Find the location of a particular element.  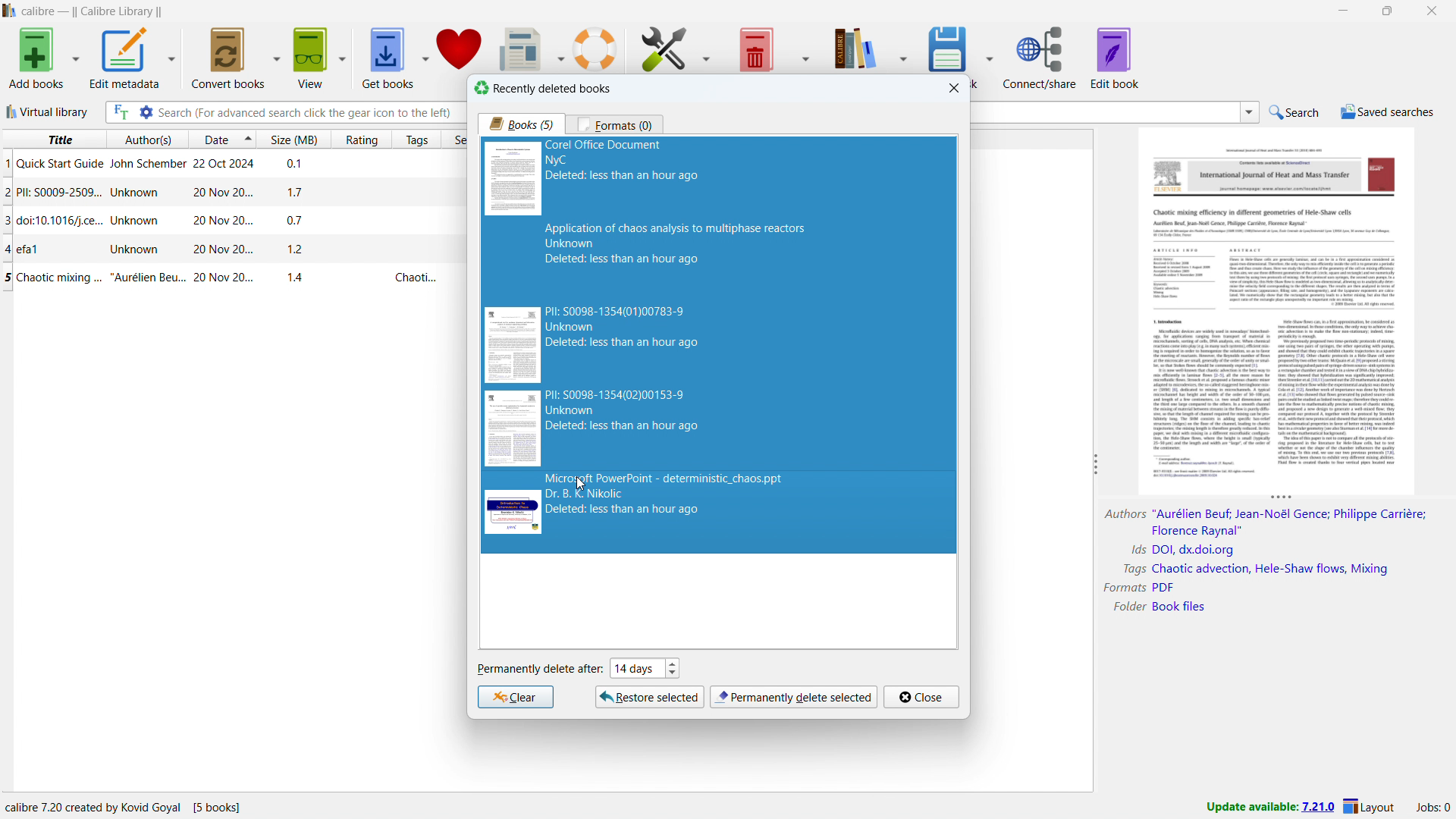

preferences is located at coordinates (665, 48).